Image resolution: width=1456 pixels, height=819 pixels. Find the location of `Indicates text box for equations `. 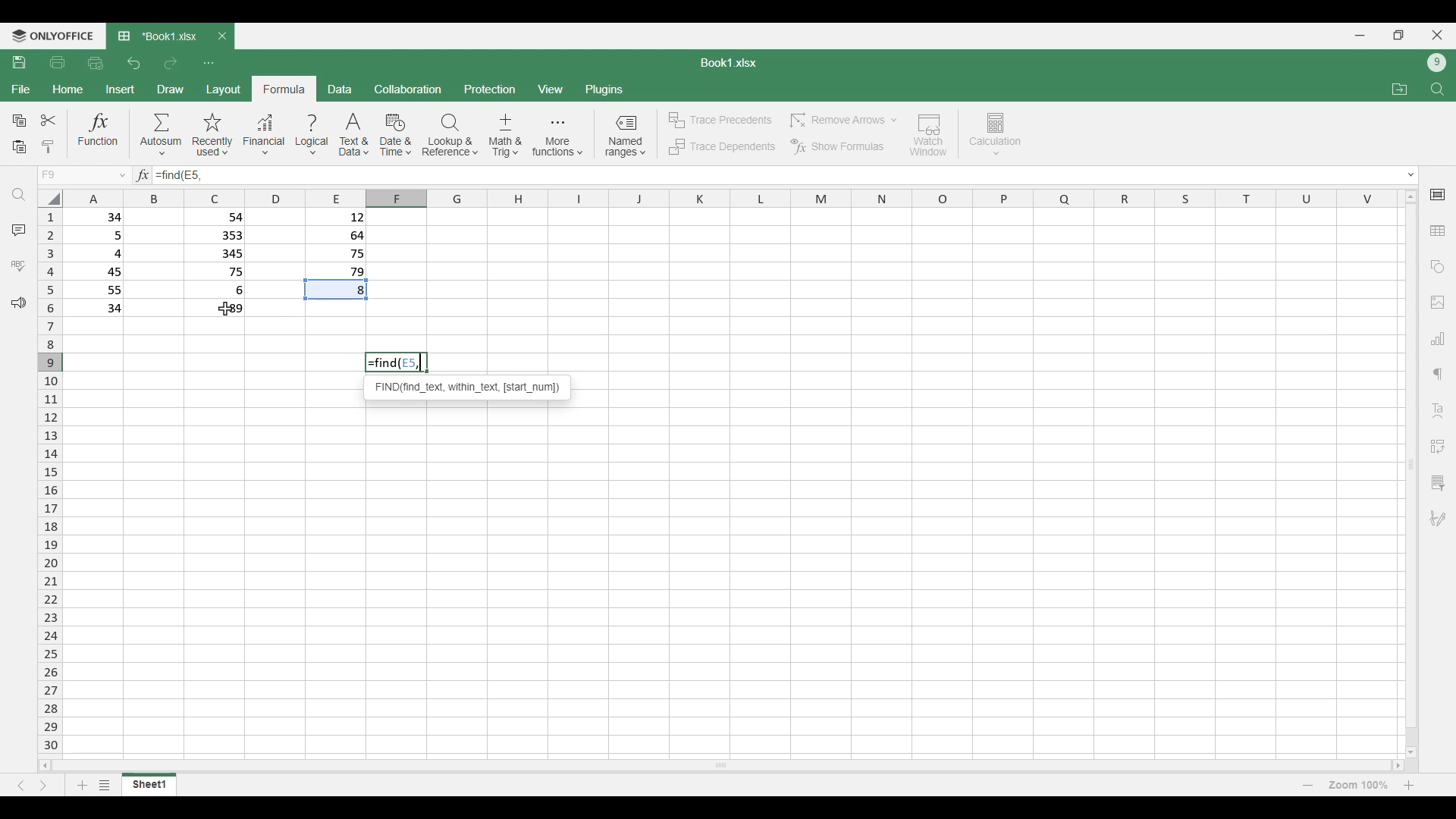

Indicates text box for equations  is located at coordinates (141, 175).